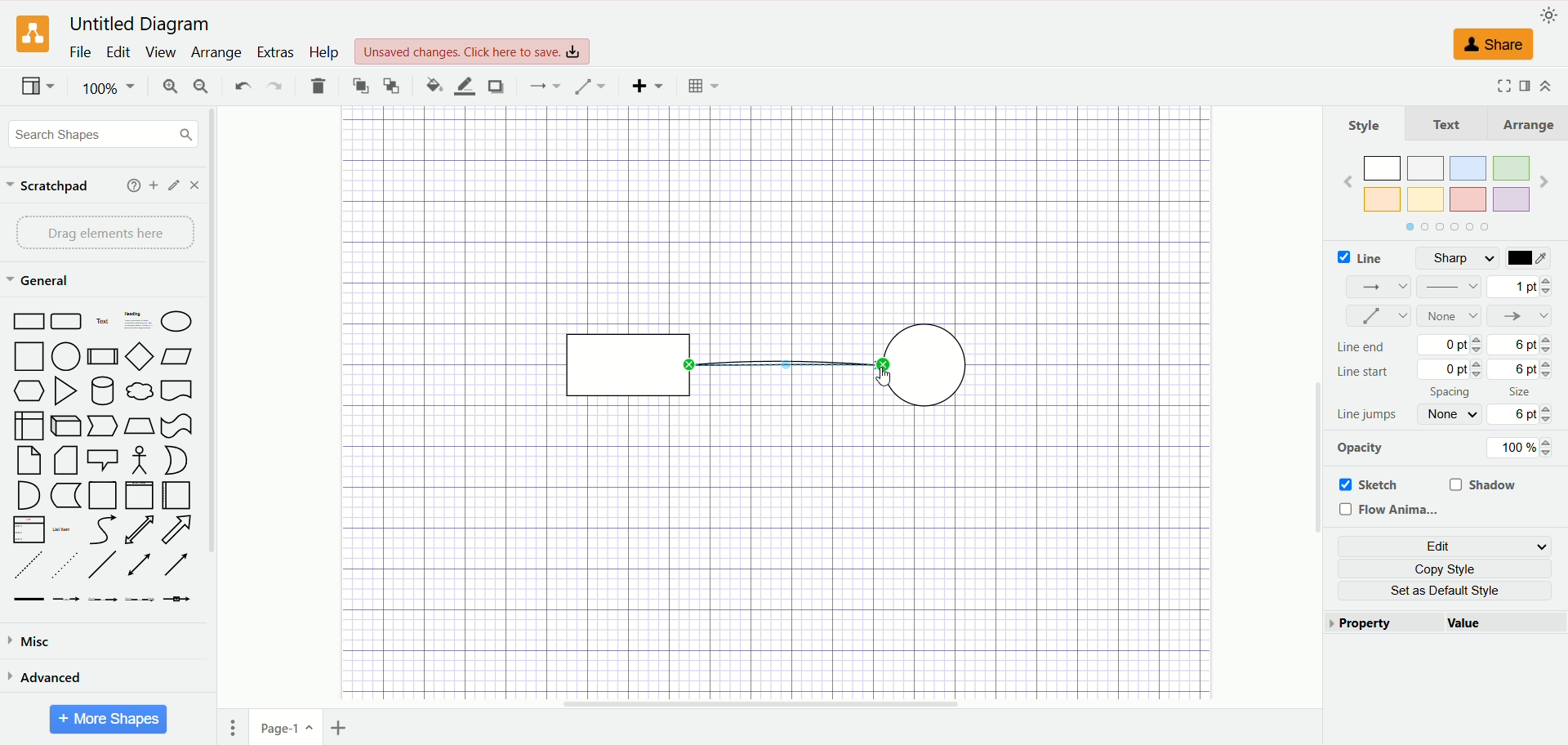 This screenshot has height=745, width=1568. Describe the element at coordinates (37, 86) in the screenshot. I see `view` at that location.